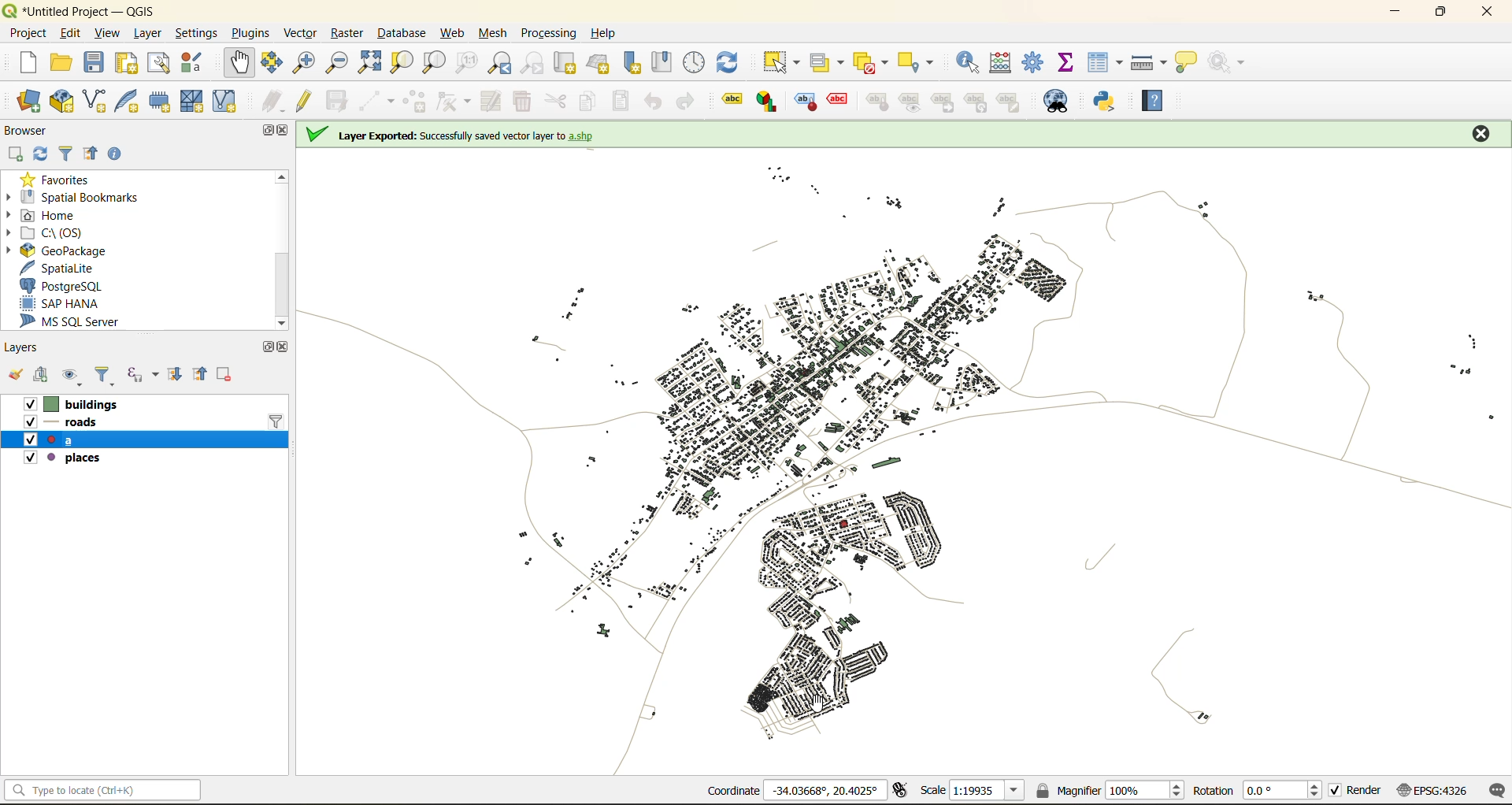  I want to click on new mesh, so click(191, 101).